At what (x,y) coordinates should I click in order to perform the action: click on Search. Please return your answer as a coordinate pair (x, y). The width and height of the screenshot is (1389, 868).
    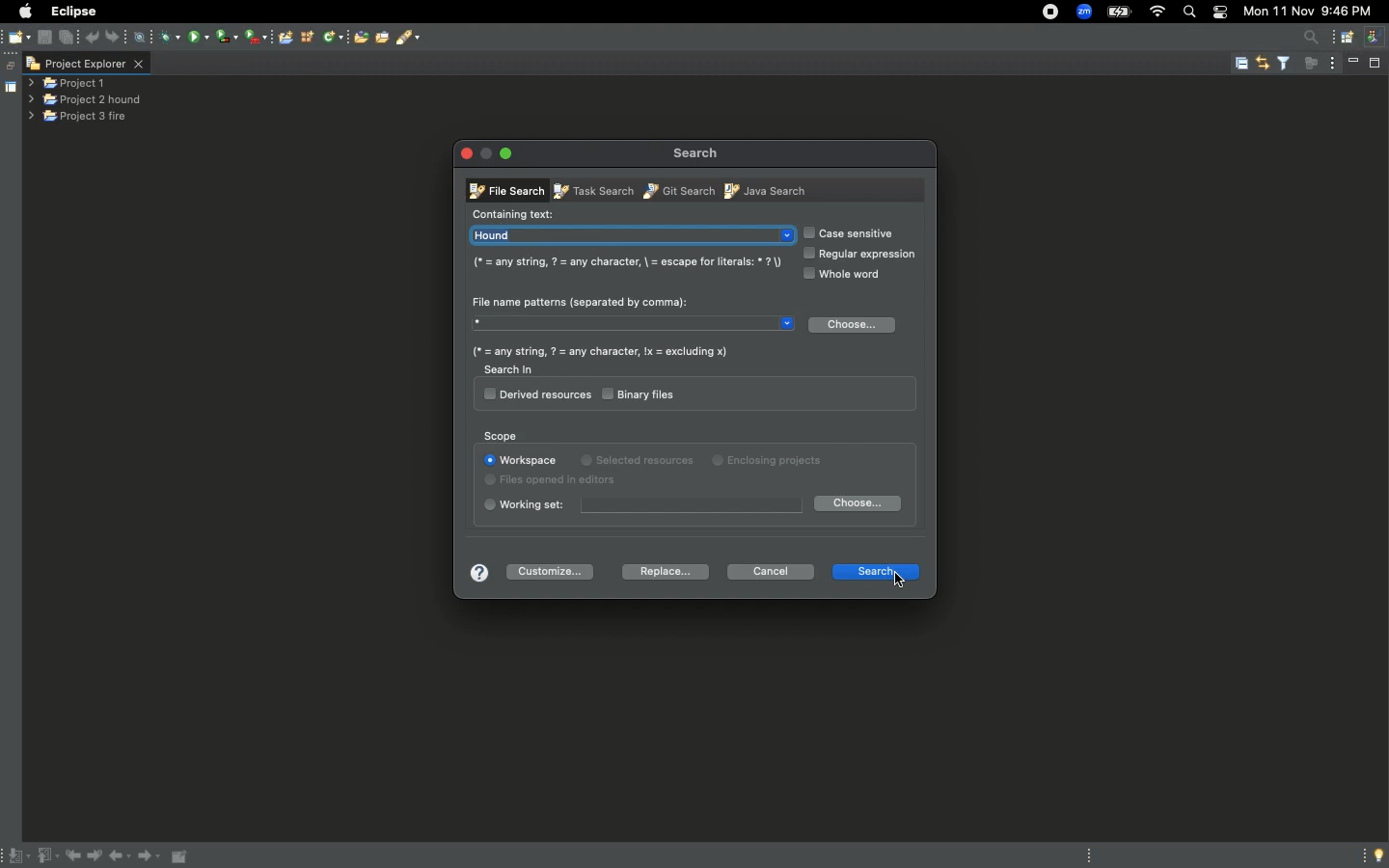
    Looking at the image, I should click on (874, 570).